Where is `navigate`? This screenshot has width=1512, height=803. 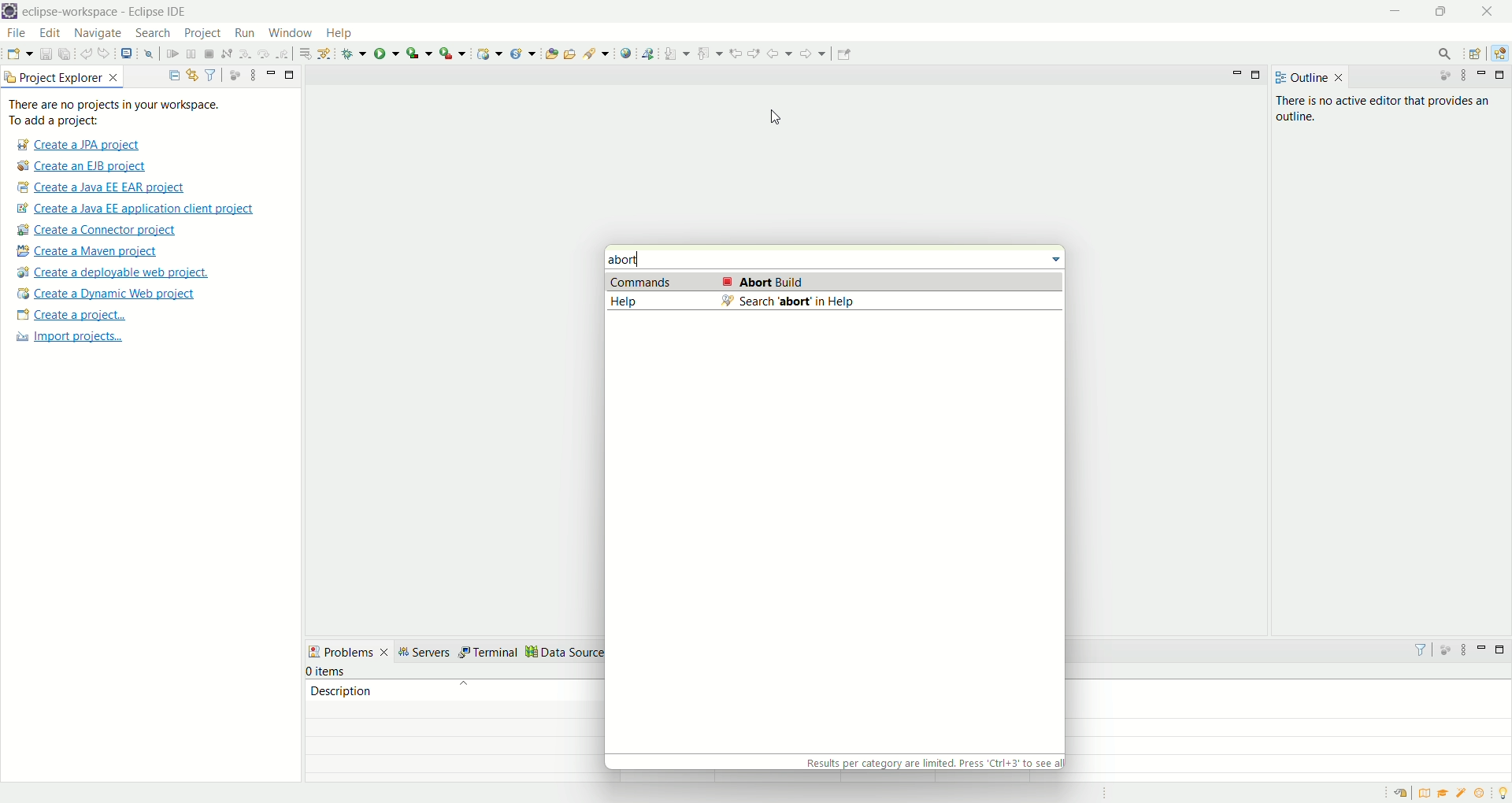 navigate is located at coordinates (98, 35).